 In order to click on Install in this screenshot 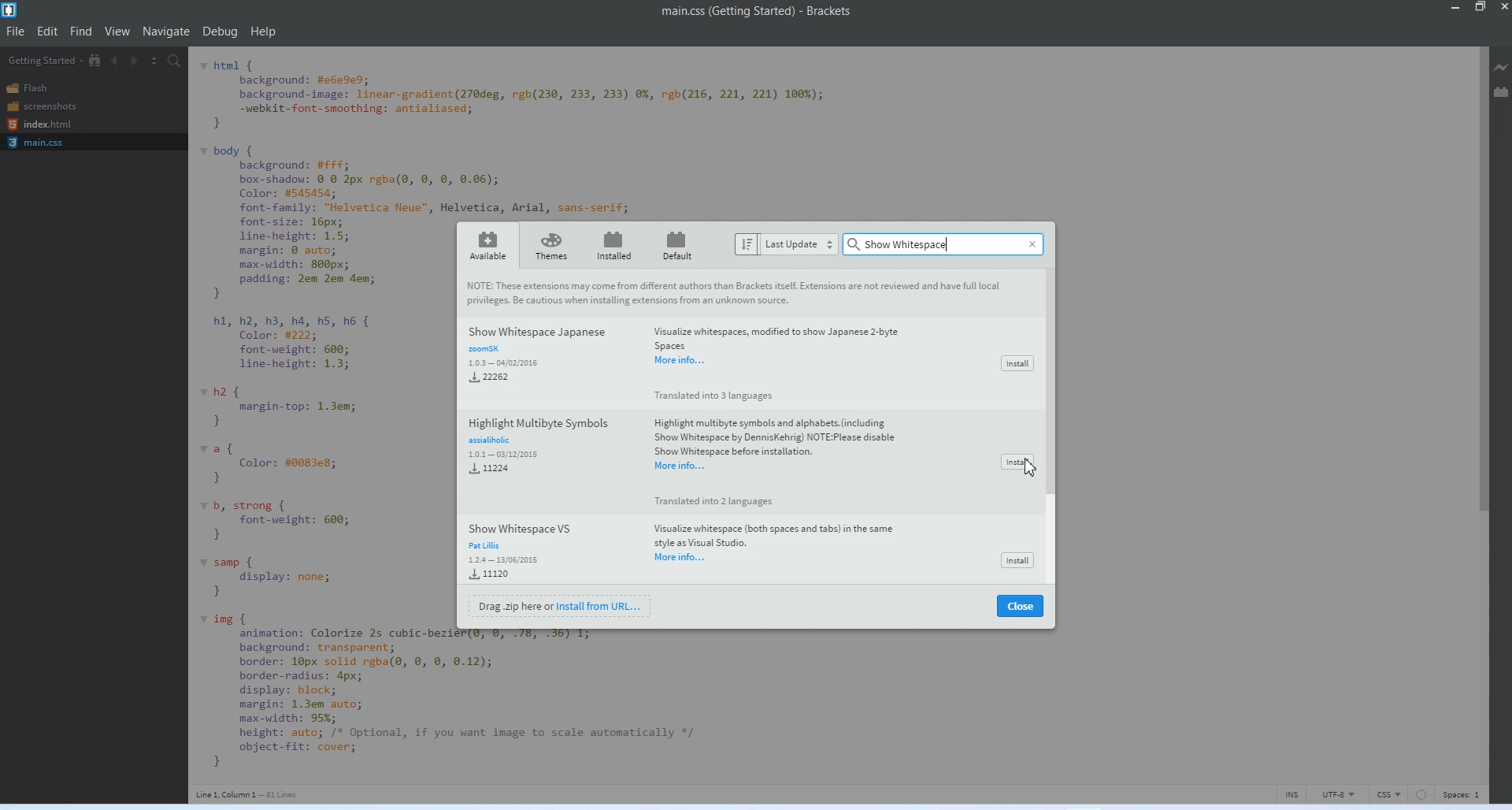, I will do `click(1018, 461)`.